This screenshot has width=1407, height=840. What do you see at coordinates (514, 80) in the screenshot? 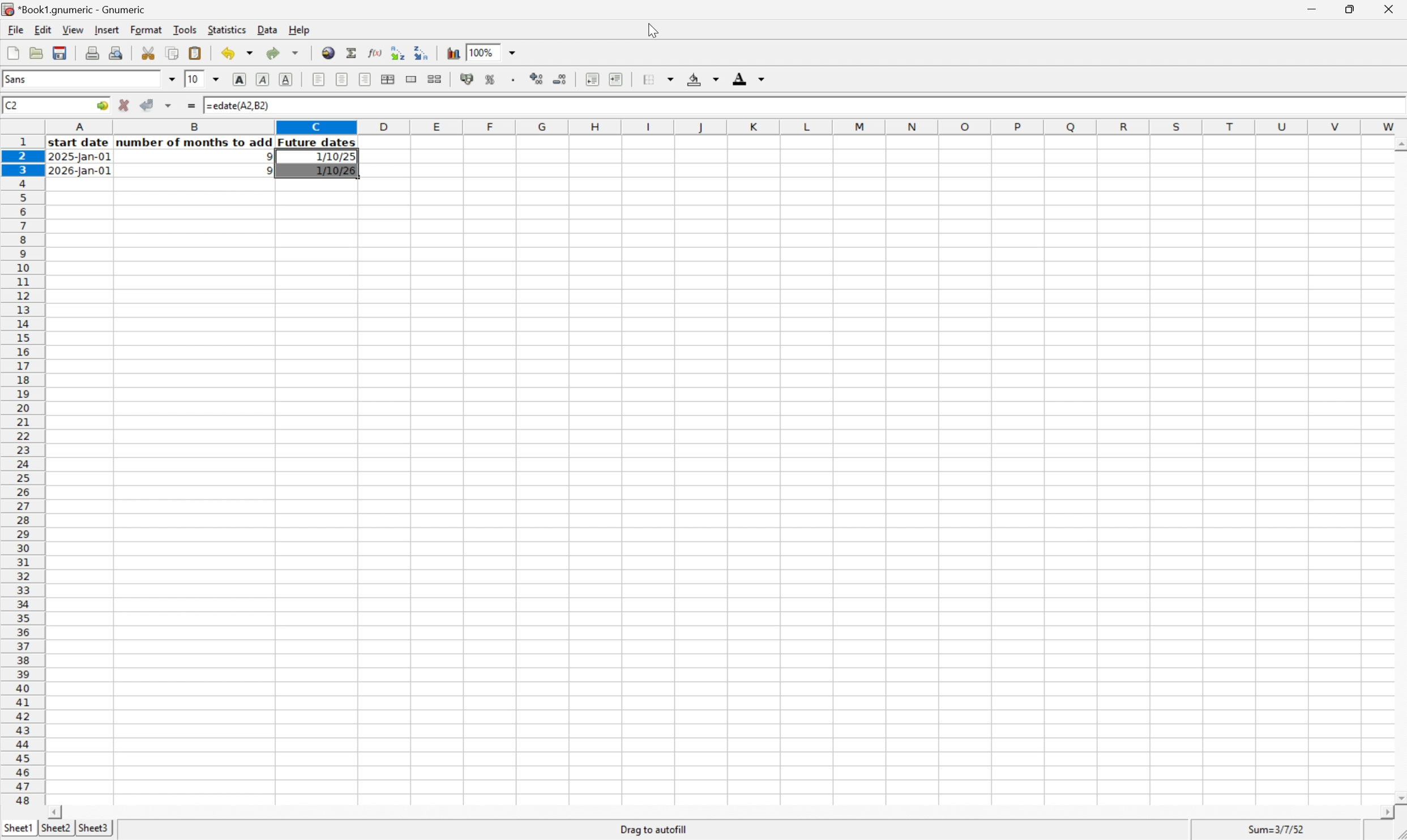
I see `Set the format of the selected cells to include a thousands separator` at bounding box center [514, 80].